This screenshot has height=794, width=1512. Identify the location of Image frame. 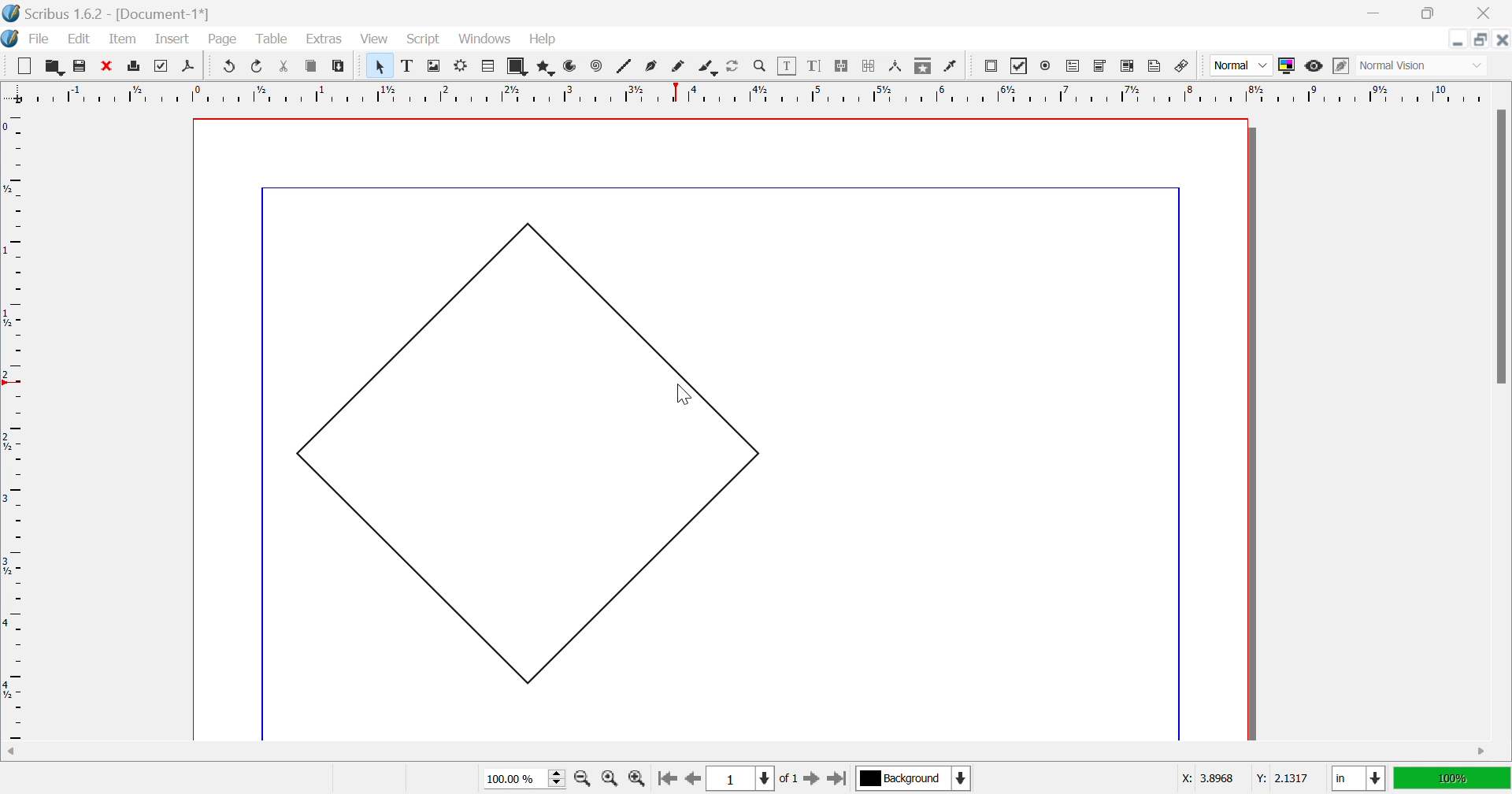
(435, 65).